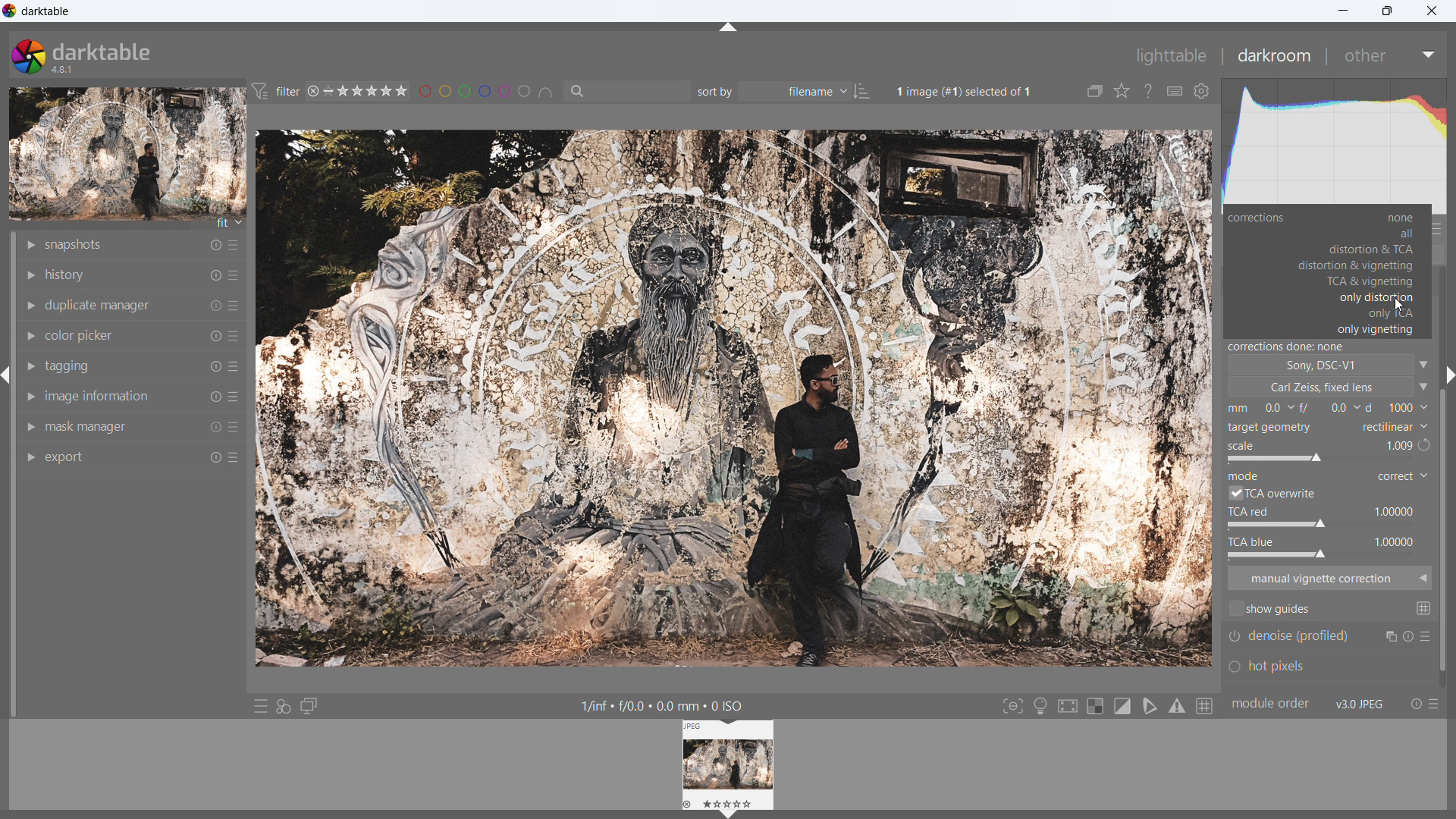  I want to click on reset, so click(215, 369).